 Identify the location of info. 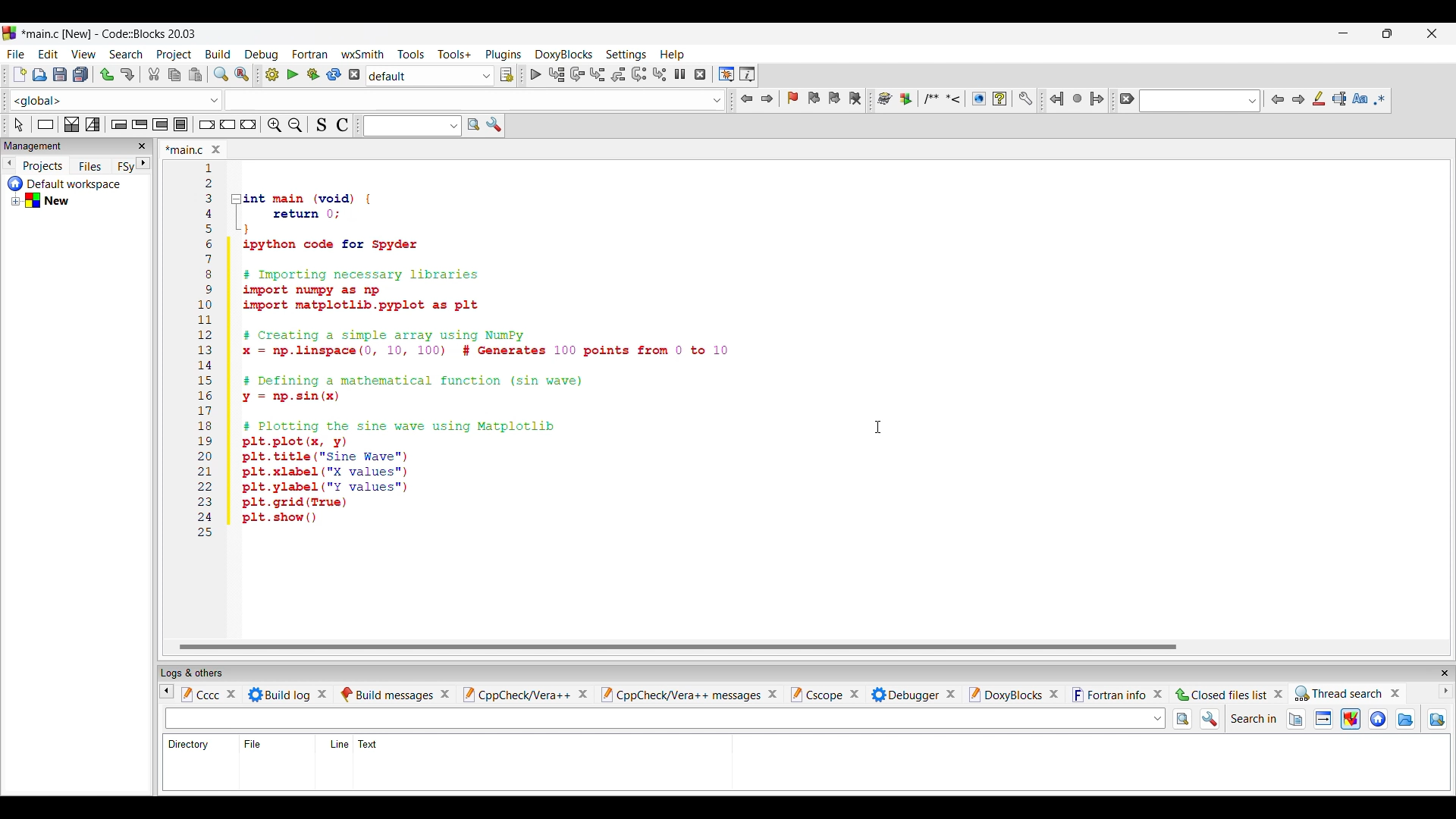
(1326, 725).